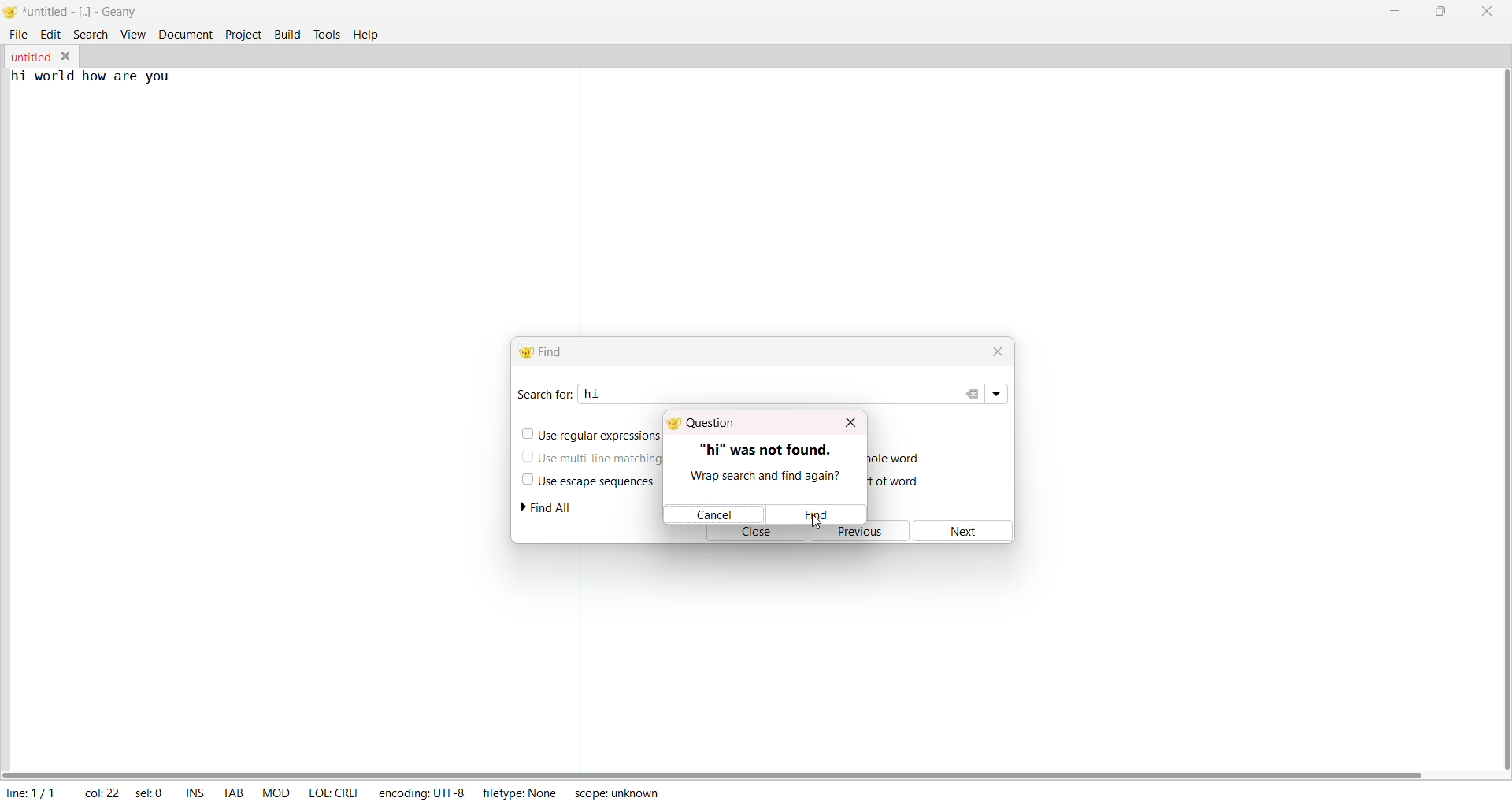 This screenshot has height=802, width=1512. Describe the element at coordinates (134, 34) in the screenshot. I see `view` at that location.